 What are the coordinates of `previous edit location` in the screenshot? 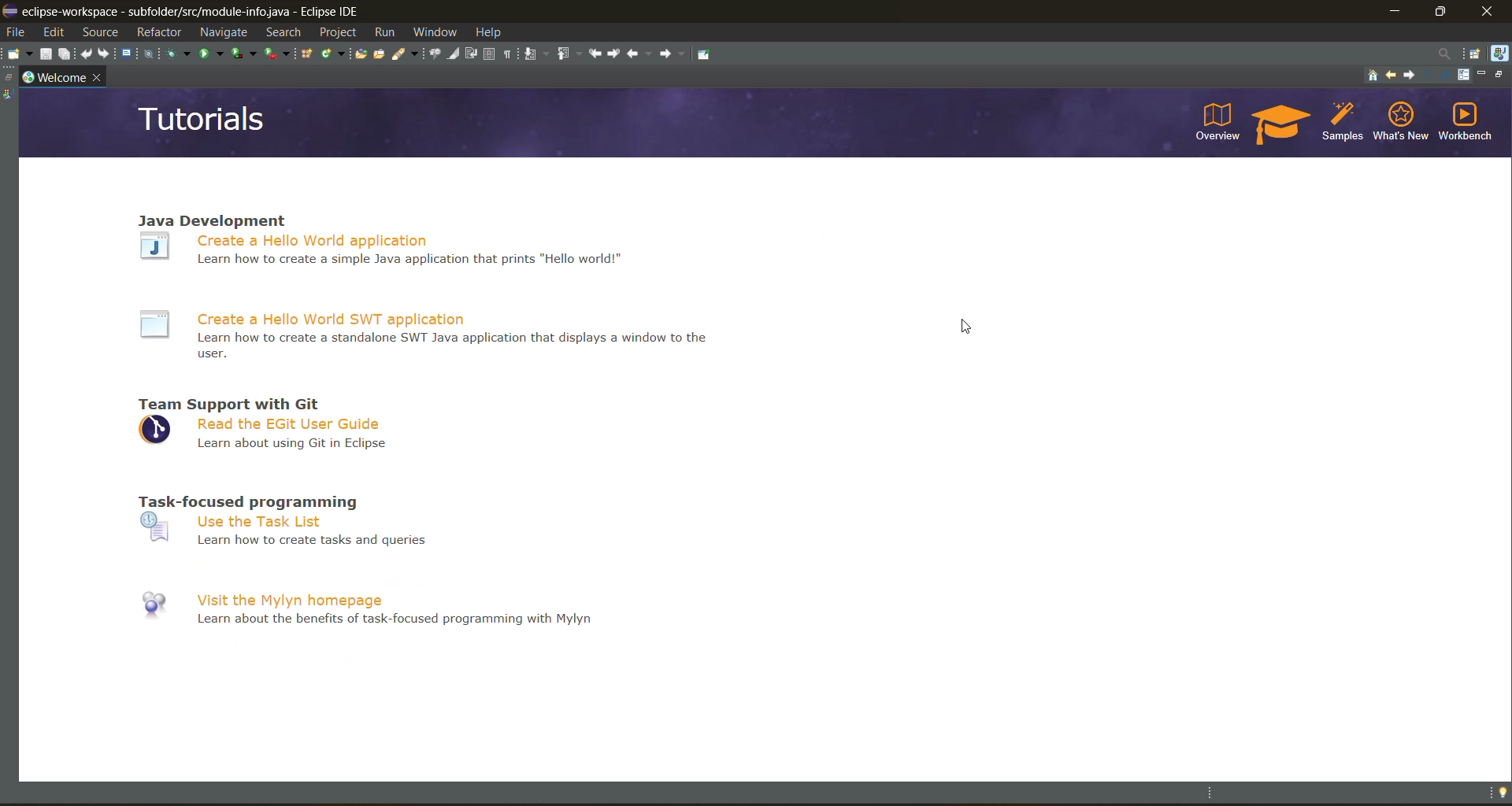 It's located at (599, 53).